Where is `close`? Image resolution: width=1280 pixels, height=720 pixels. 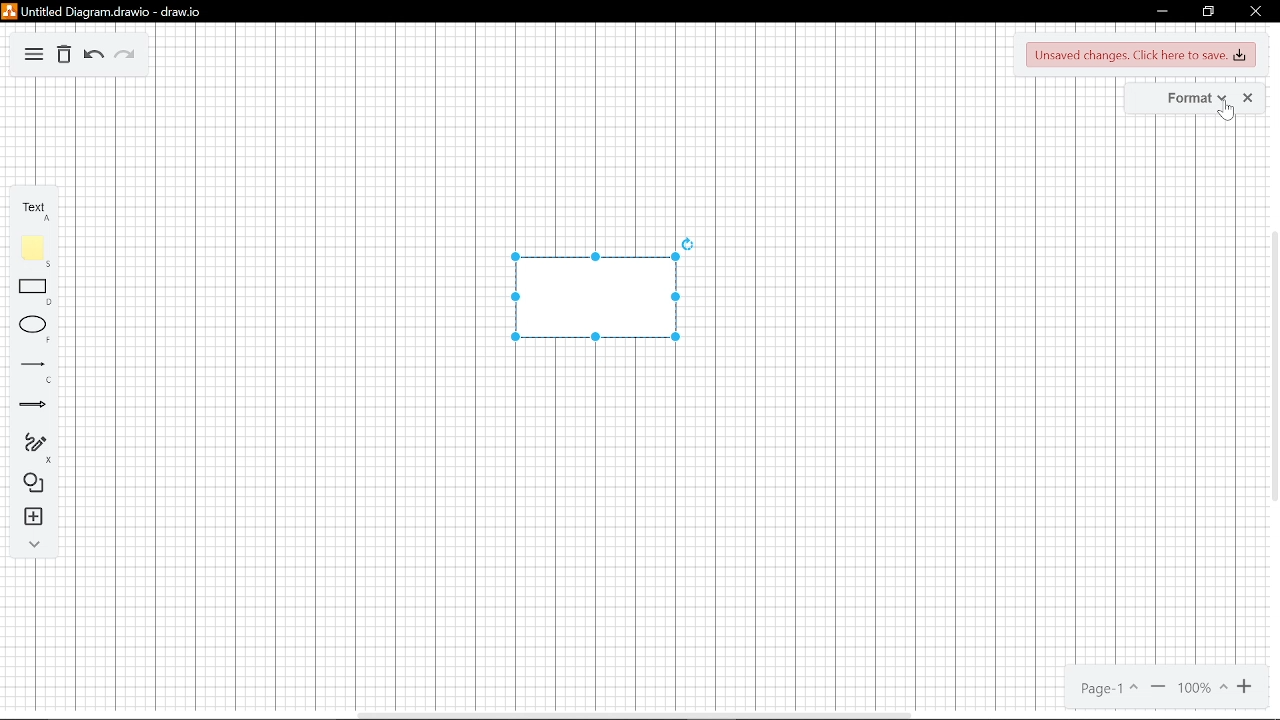 close is located at coordinates (1247, 98).